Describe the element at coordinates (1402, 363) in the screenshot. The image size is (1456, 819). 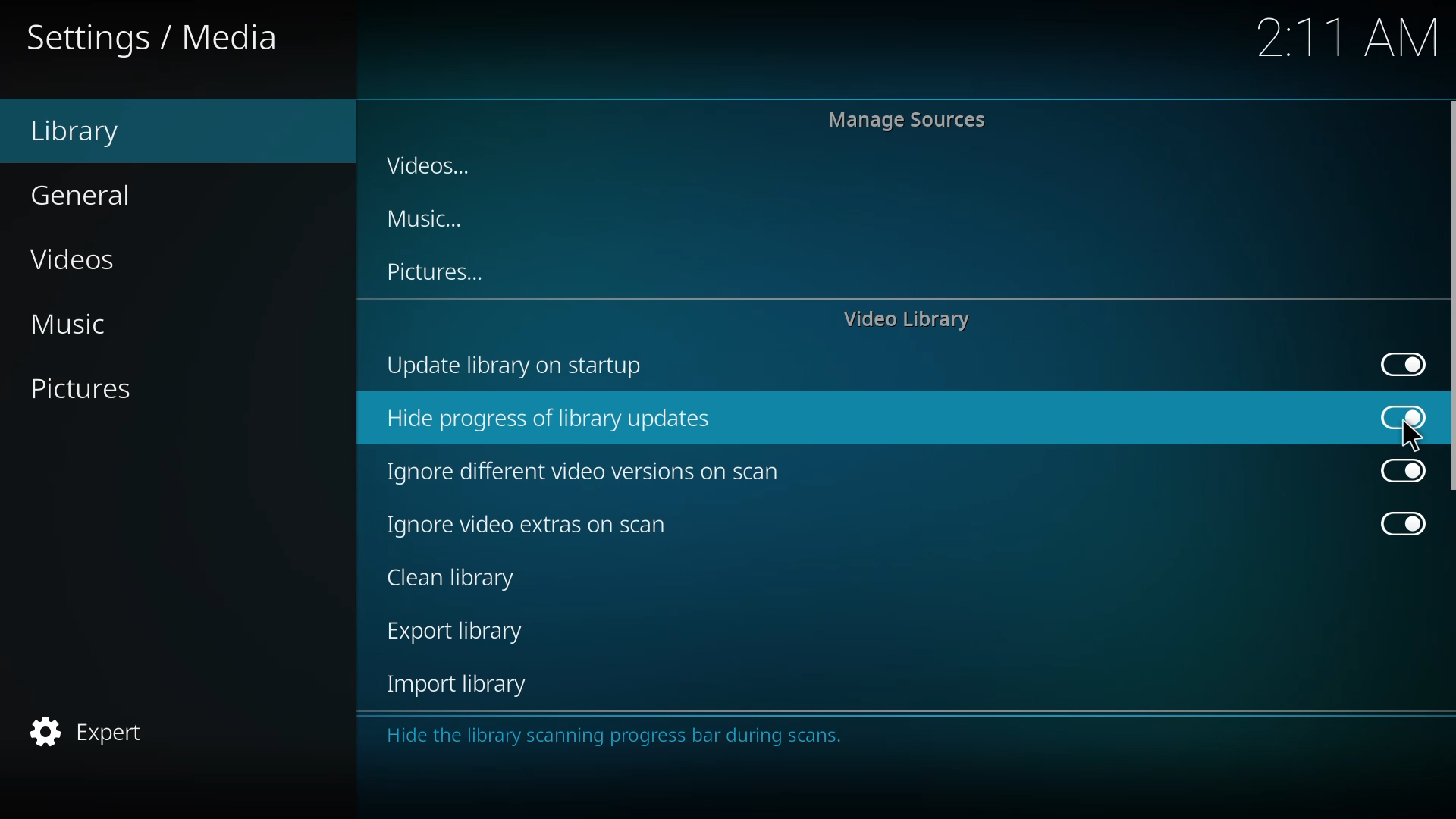
I see `enabled` at that location.